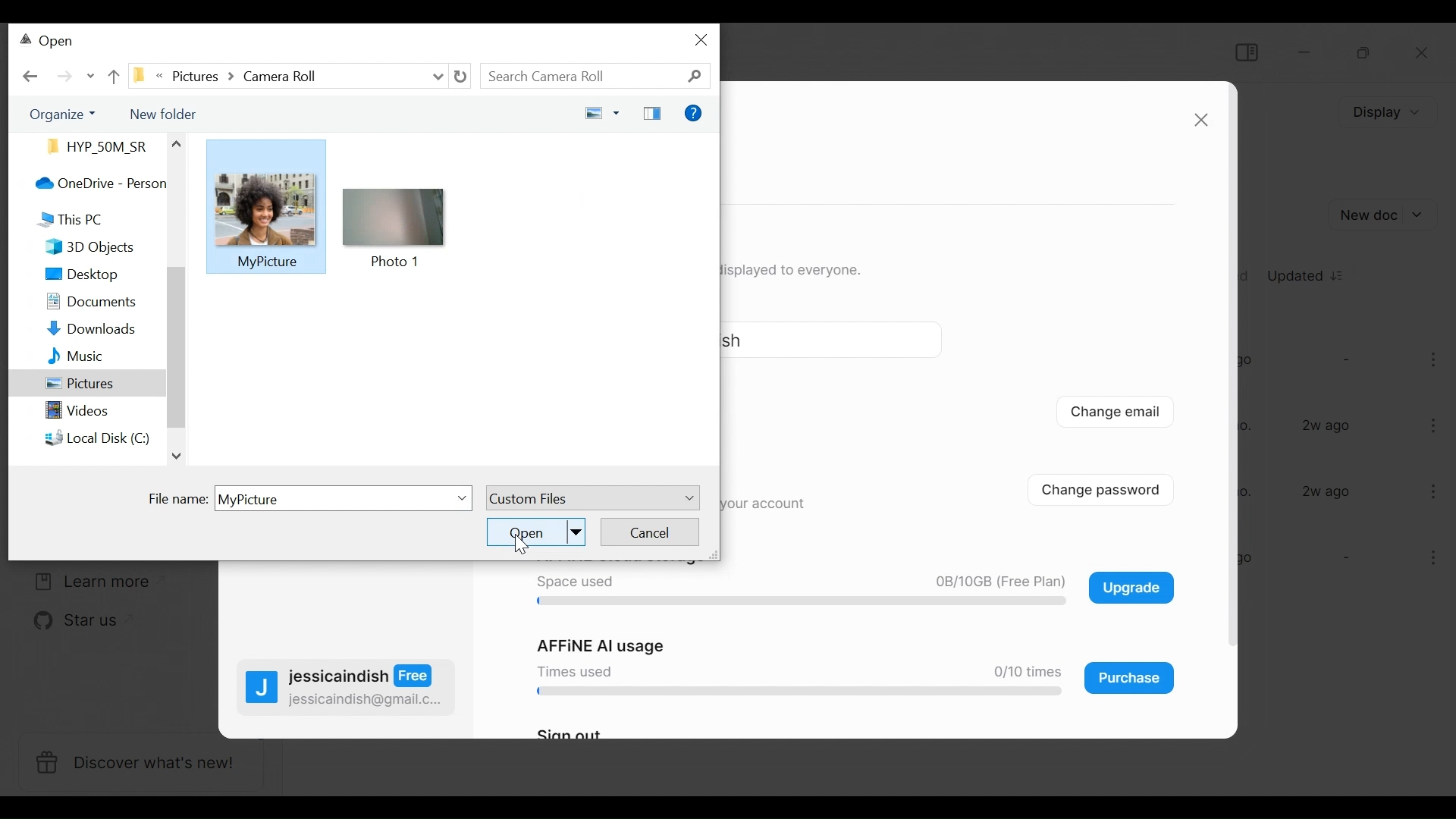 Image resolution: width=1456 pixels, height=819 pixels. Describe the element at coordinates (1327, 491) in the screenshot. I see `2w ago` at that location.